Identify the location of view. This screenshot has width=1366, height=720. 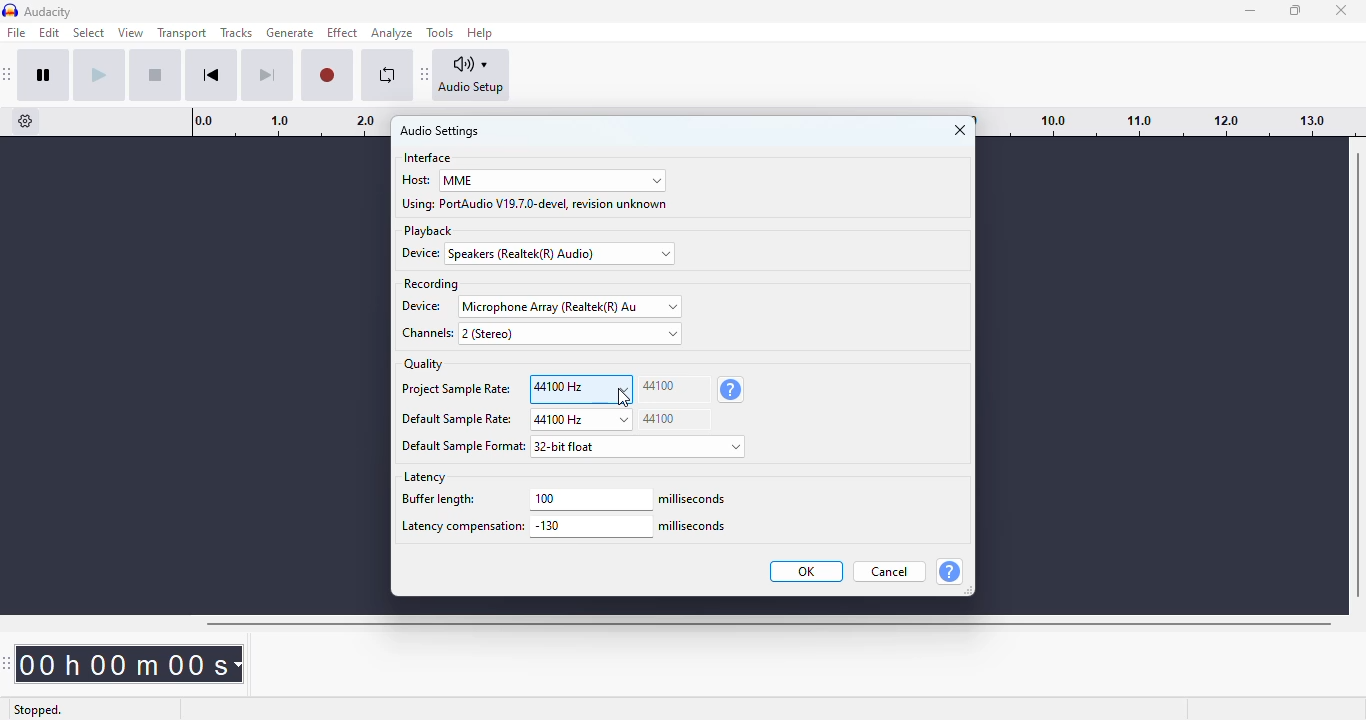
(131, 33).